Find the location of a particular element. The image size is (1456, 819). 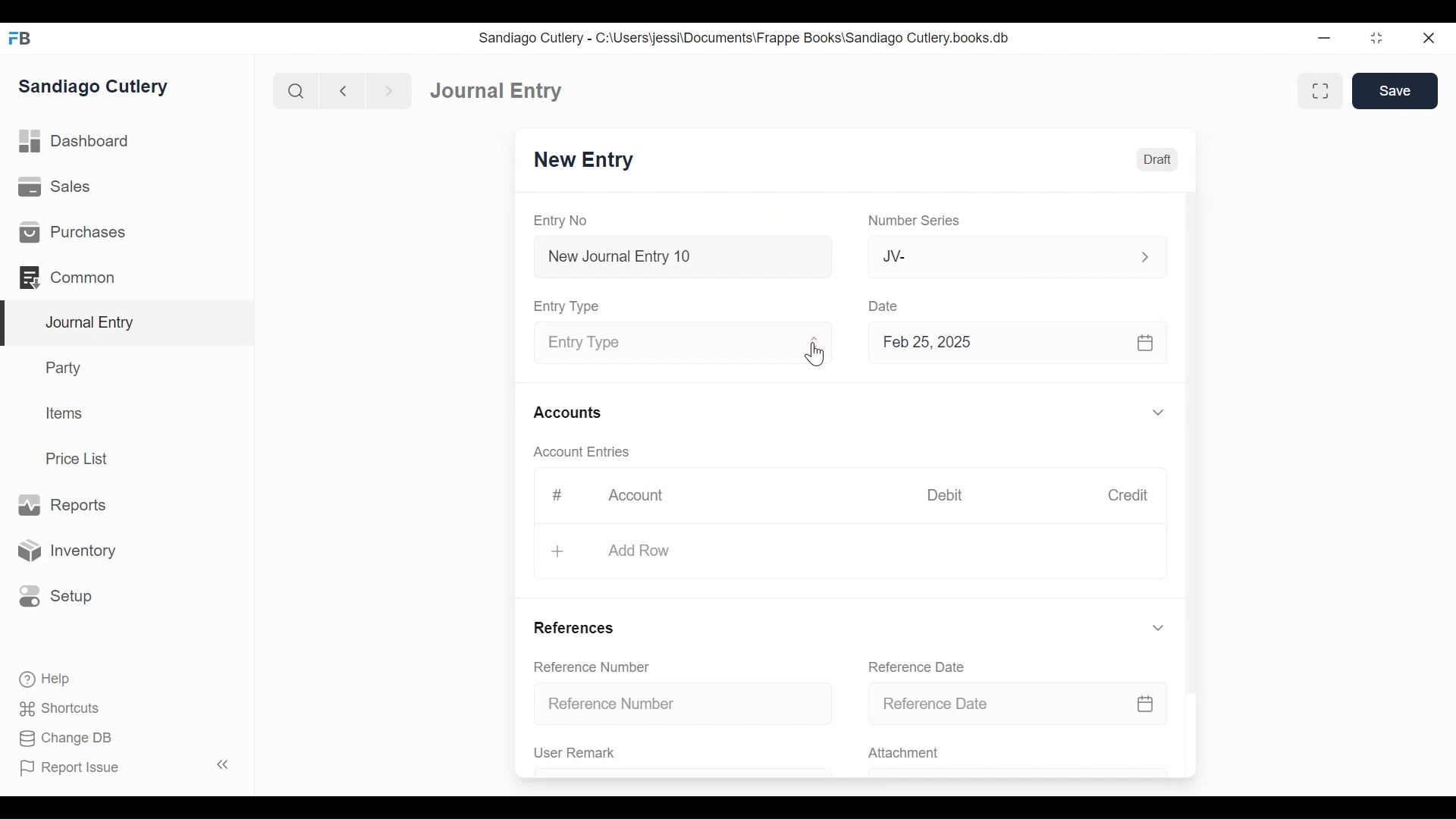

Search is located at coordinates (297, 90).